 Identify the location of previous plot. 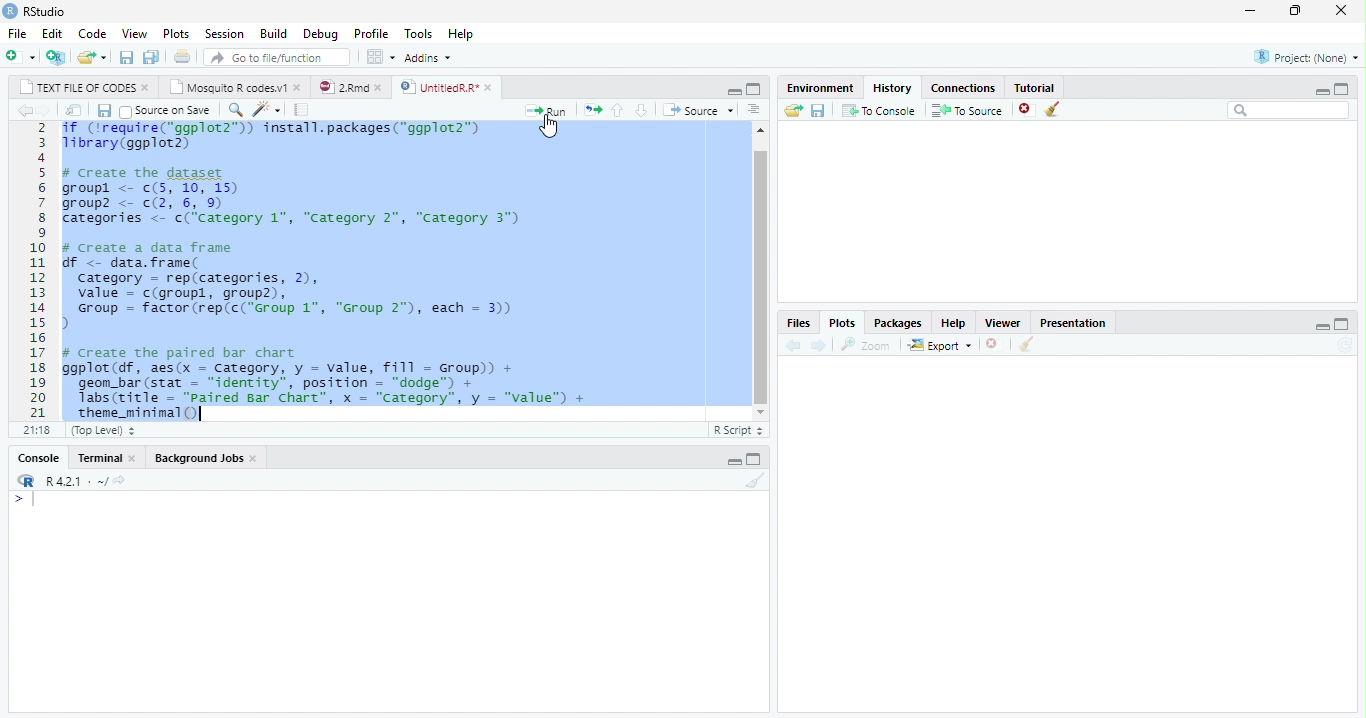
(793, 346).